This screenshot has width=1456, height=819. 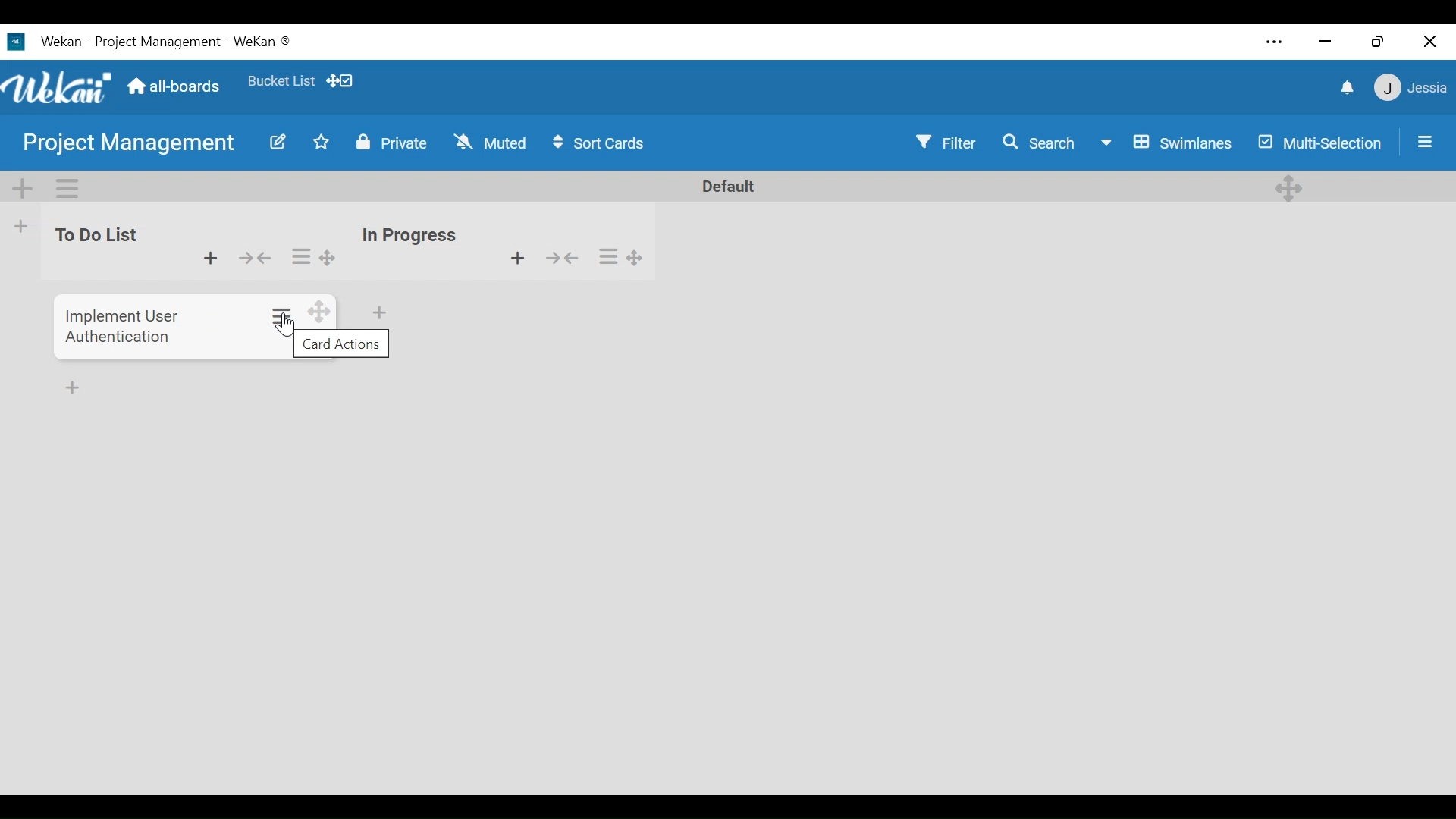 What do you see at coordinates (91, 236) in the screenshot?
I see `To Do List` at bounding box center [91, 236].